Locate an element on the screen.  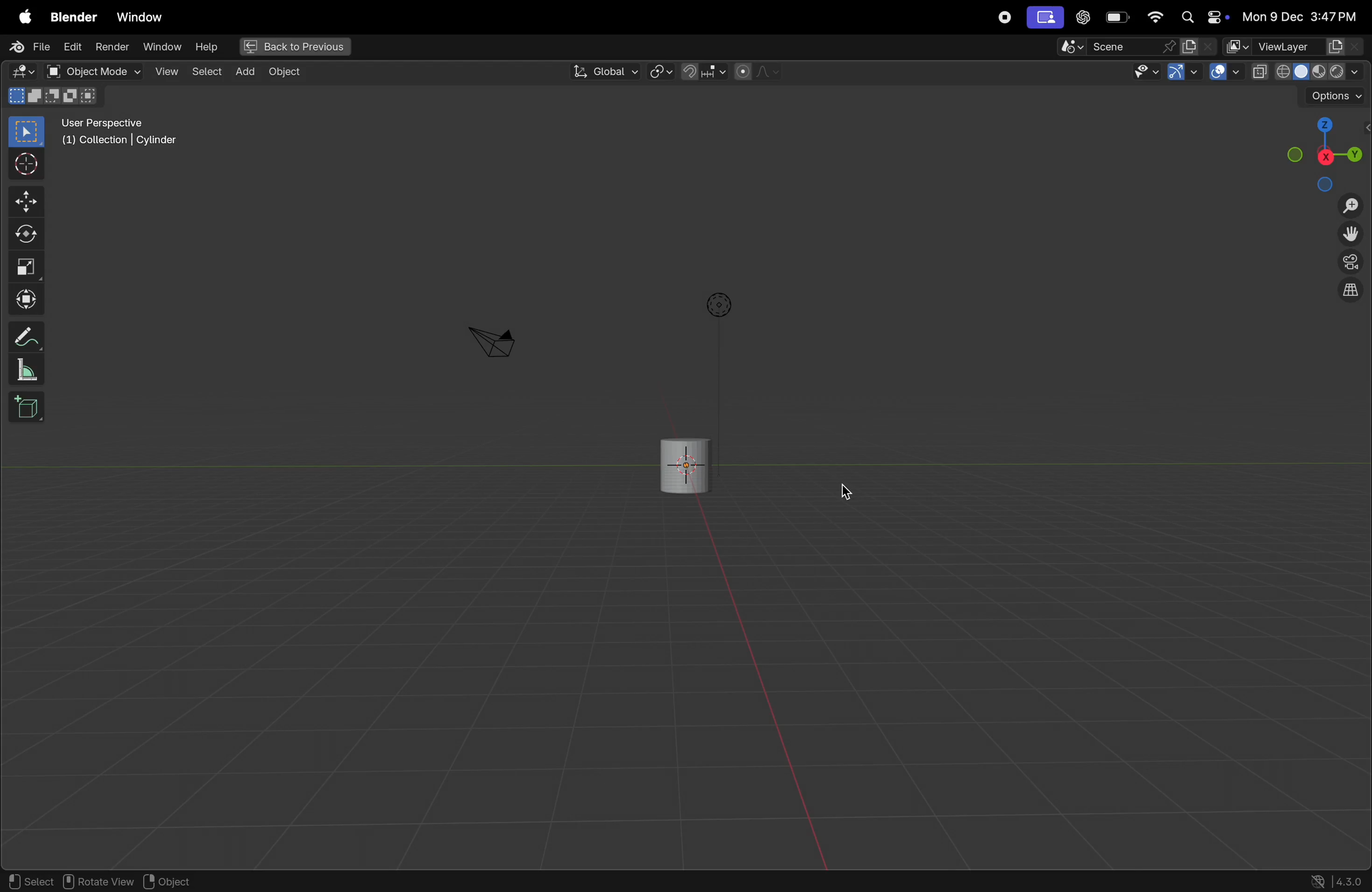
Blender is located at coordinates (70, 14).